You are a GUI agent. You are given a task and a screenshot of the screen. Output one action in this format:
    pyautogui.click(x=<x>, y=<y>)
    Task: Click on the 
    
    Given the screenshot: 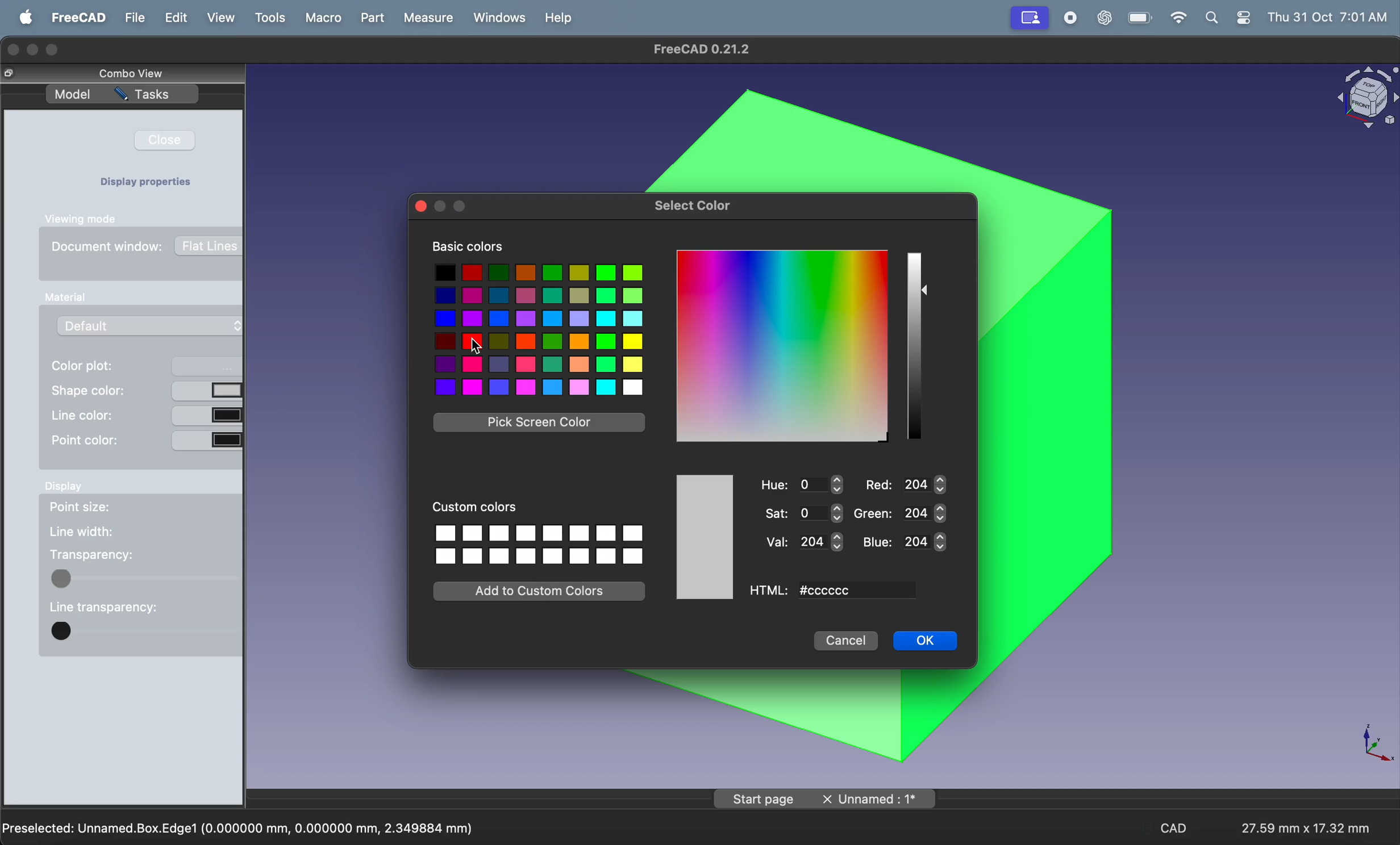 What is the action you would take?
    pyautogui.click(x=63, y=298)
    